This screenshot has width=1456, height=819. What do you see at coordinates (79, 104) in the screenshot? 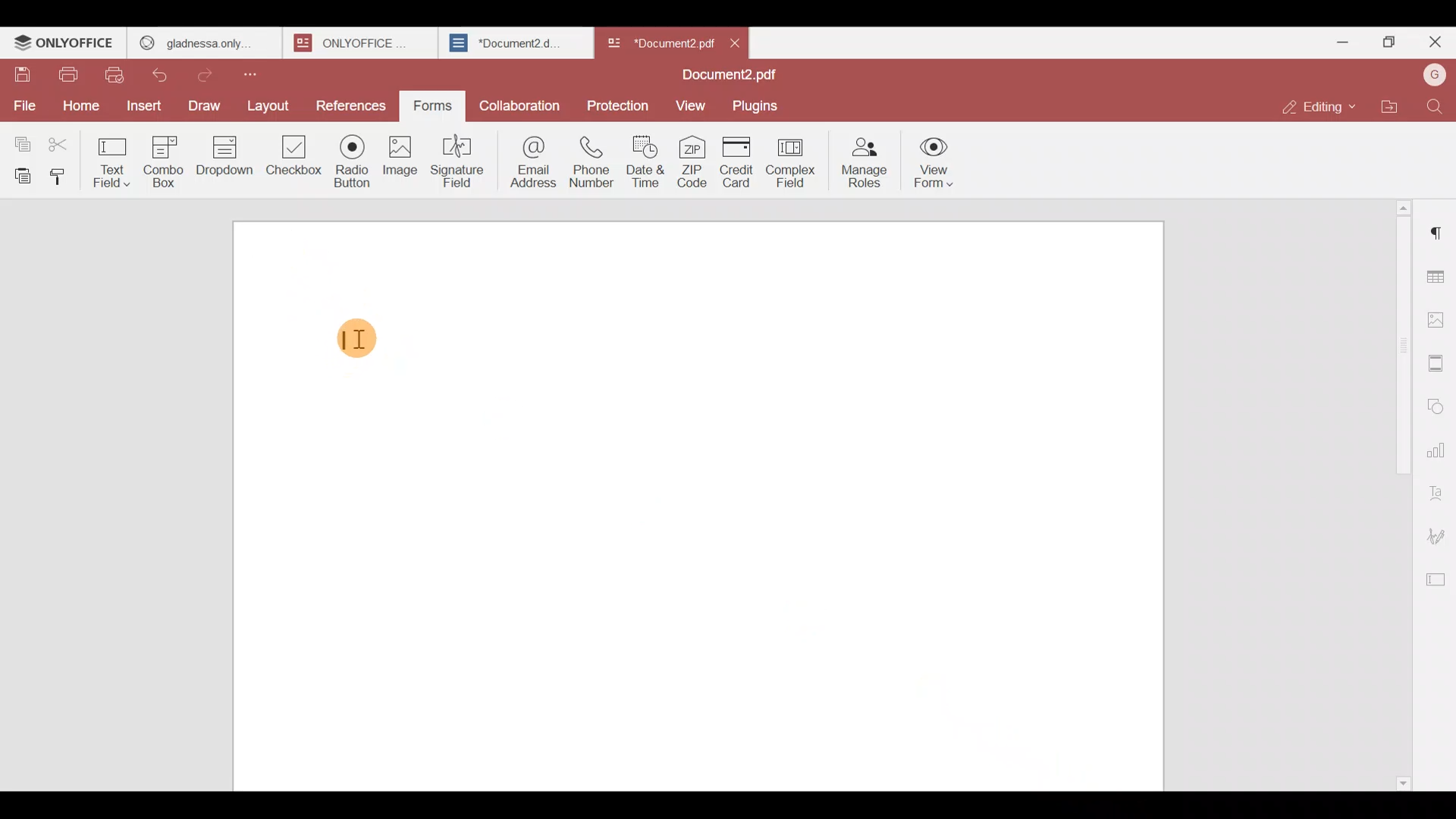
I see `Home` at bounding box center [79, 104].